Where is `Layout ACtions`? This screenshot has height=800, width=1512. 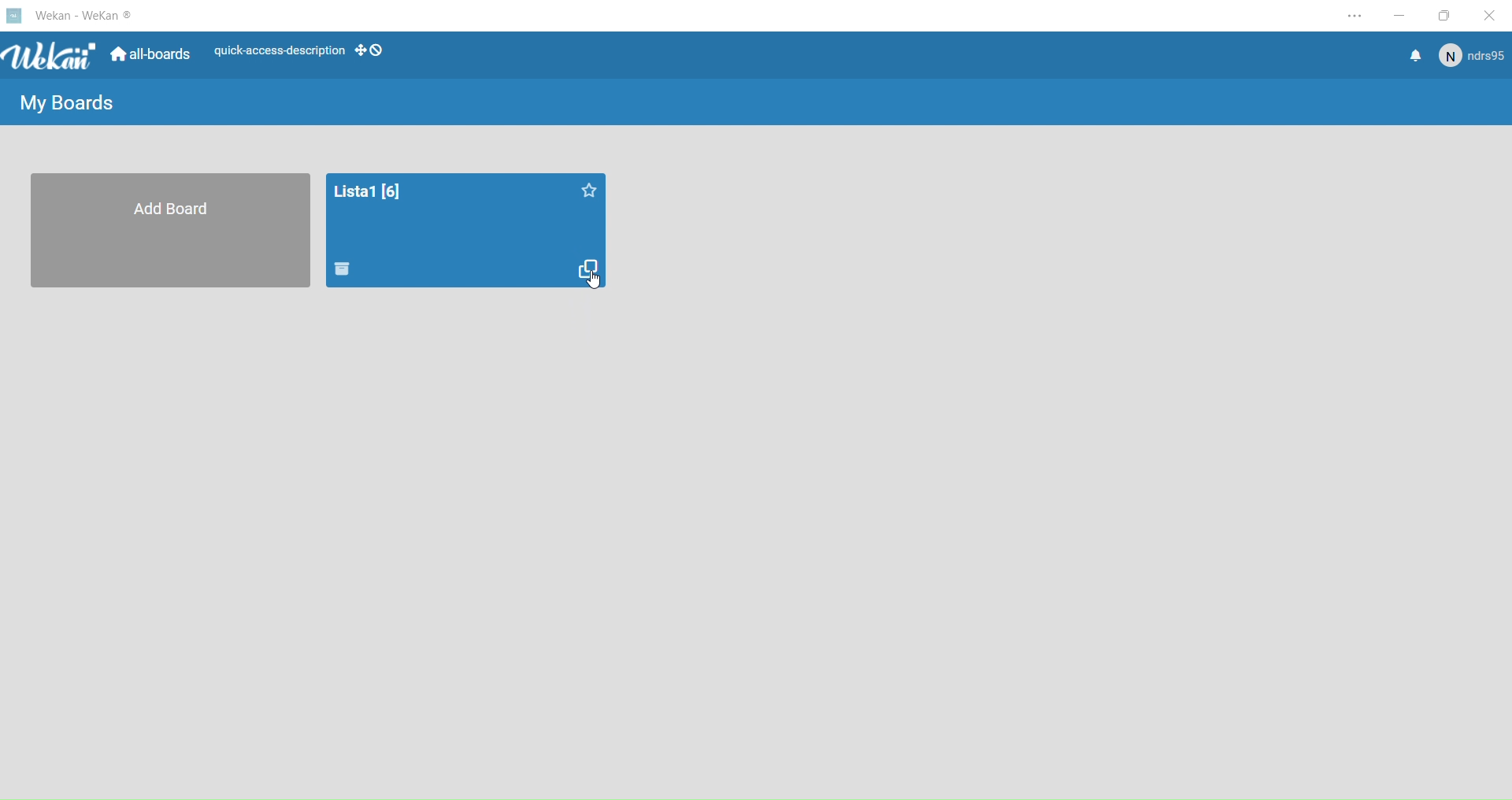 Layout ACtions is located at coordinates (304, 52).